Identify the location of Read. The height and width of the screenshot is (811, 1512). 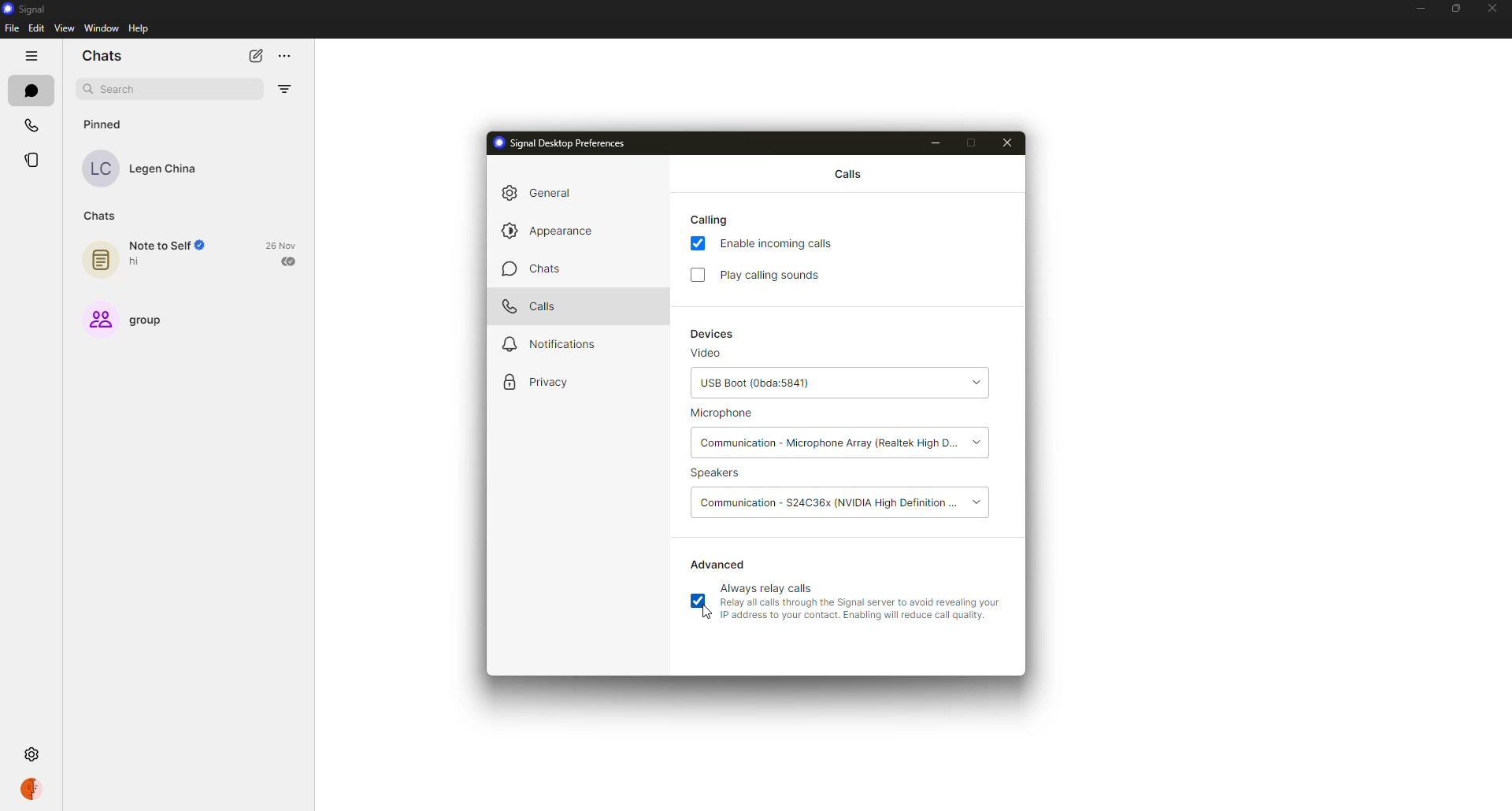
(291, 262).